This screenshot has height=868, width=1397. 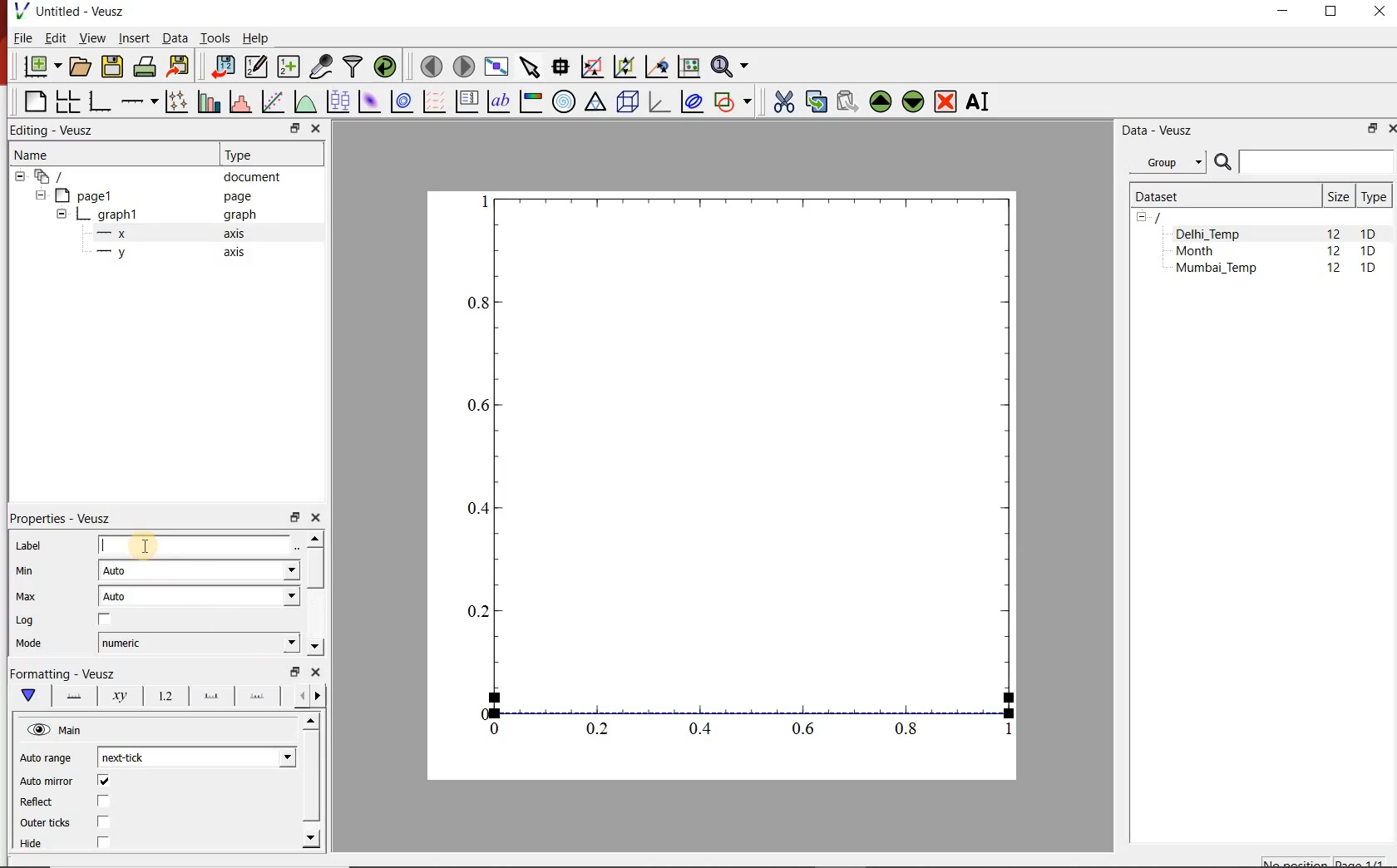 I want to click on CLOSE, so click(x=1390, y=129).